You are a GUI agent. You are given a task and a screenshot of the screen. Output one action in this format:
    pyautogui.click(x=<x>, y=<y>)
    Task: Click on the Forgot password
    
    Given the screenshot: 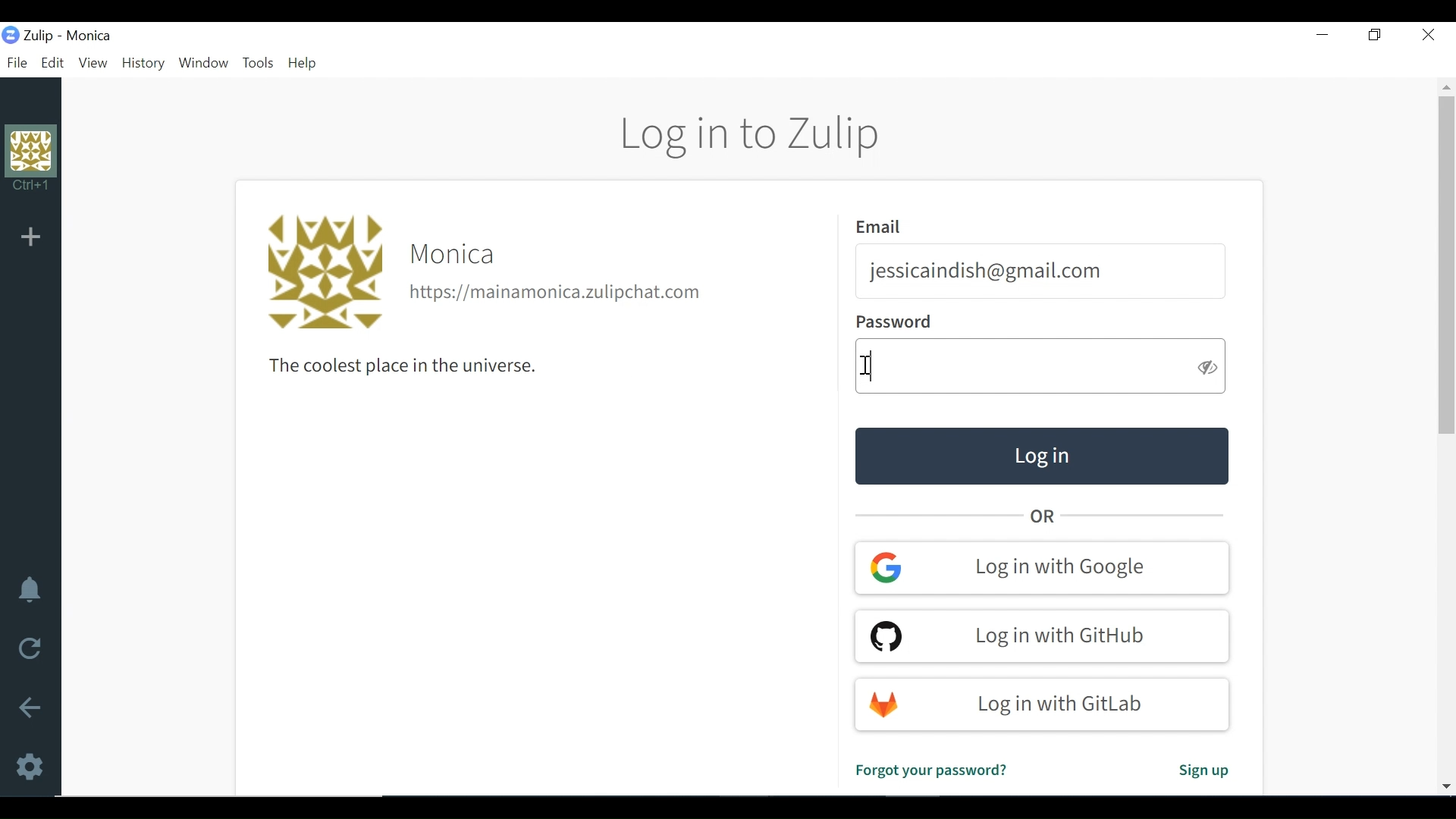 What is the action you would take?
    pyautogui.click(x=930, y=770)
    